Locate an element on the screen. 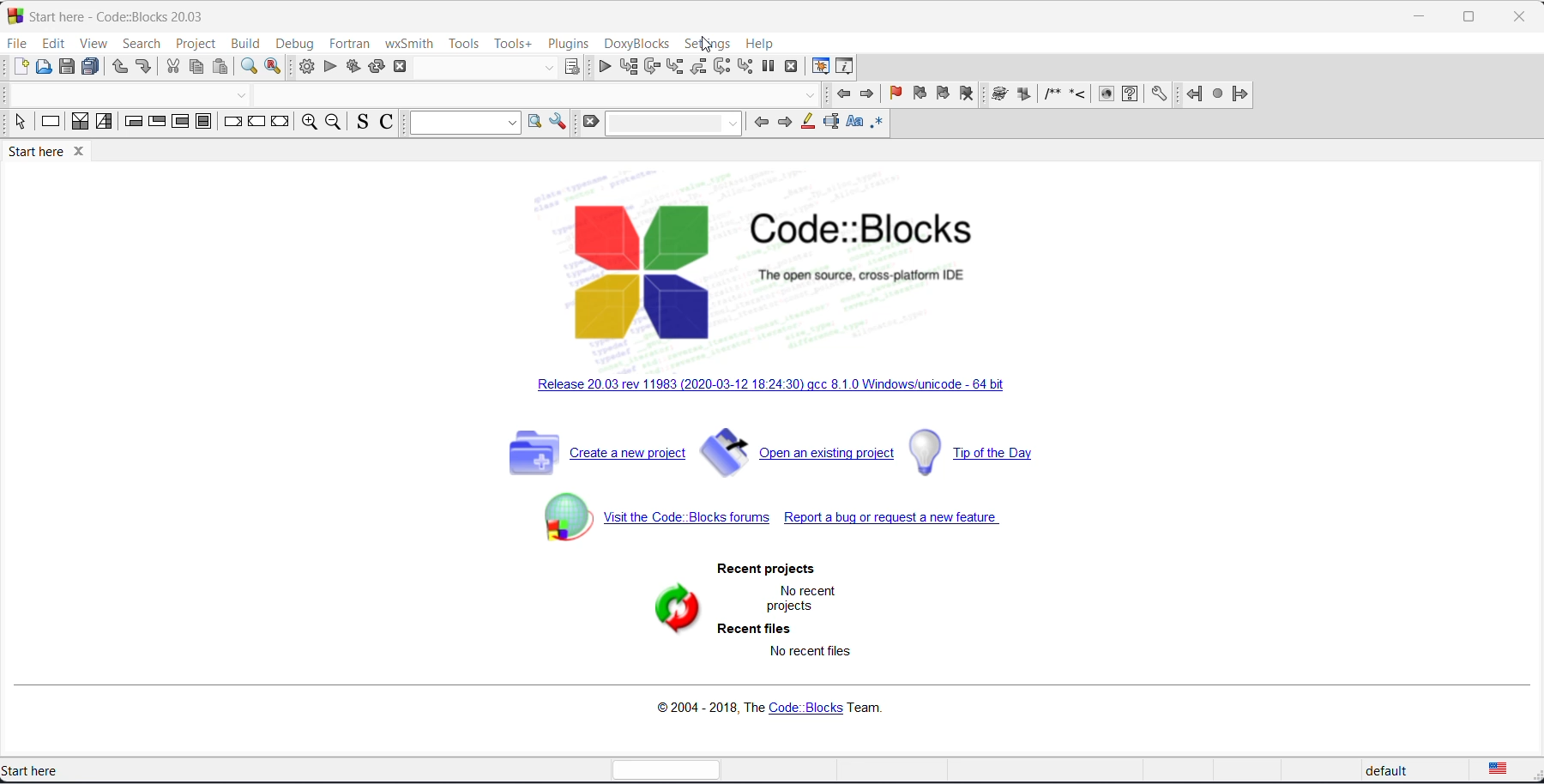 The image size is (1544, 784). start here dialogbox is located at coordinates (133, 16).